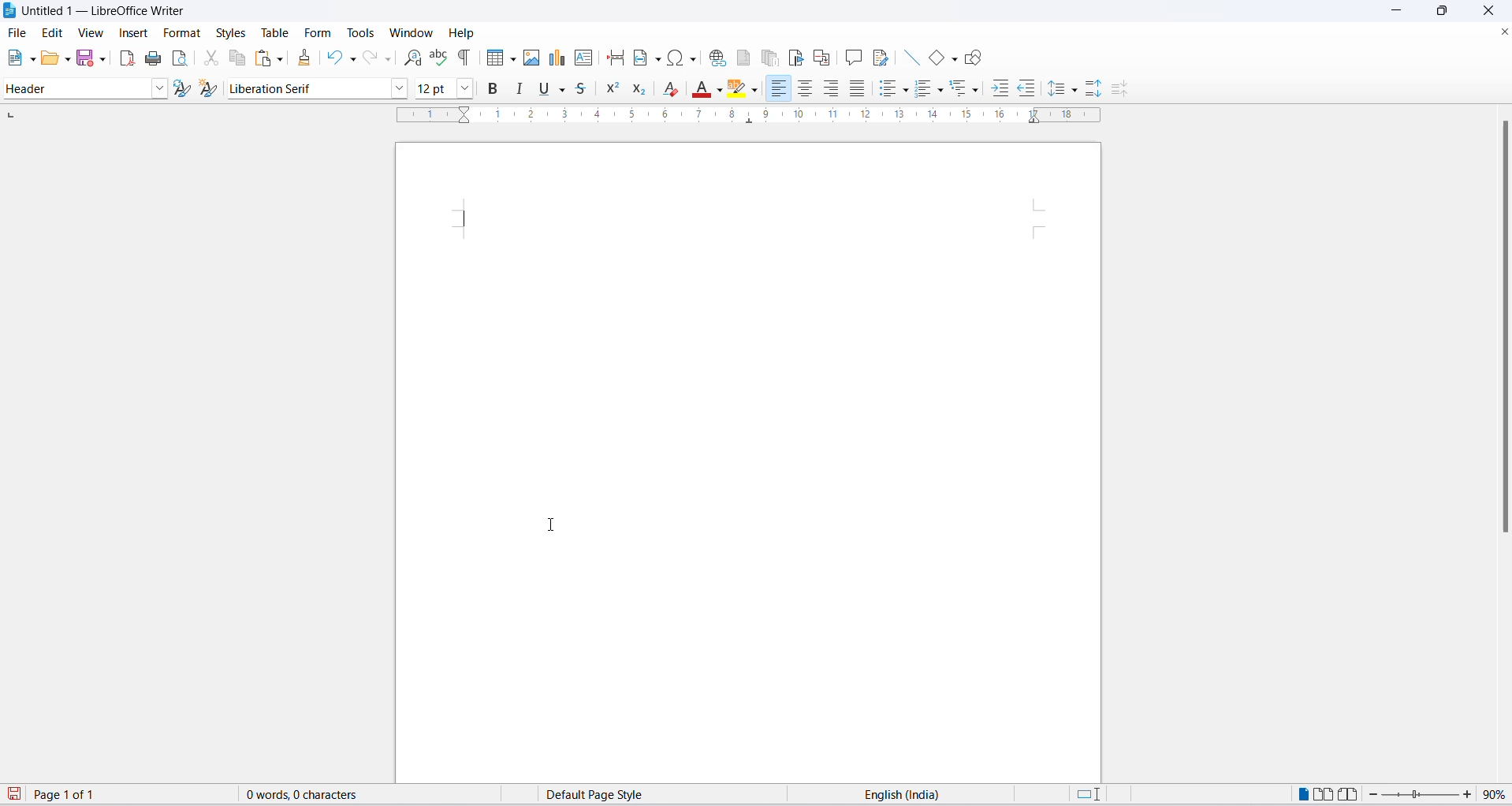  What do you see at coordinates (183, 32) in the screenshot?
I see `format` at bounding box center [183, 32].